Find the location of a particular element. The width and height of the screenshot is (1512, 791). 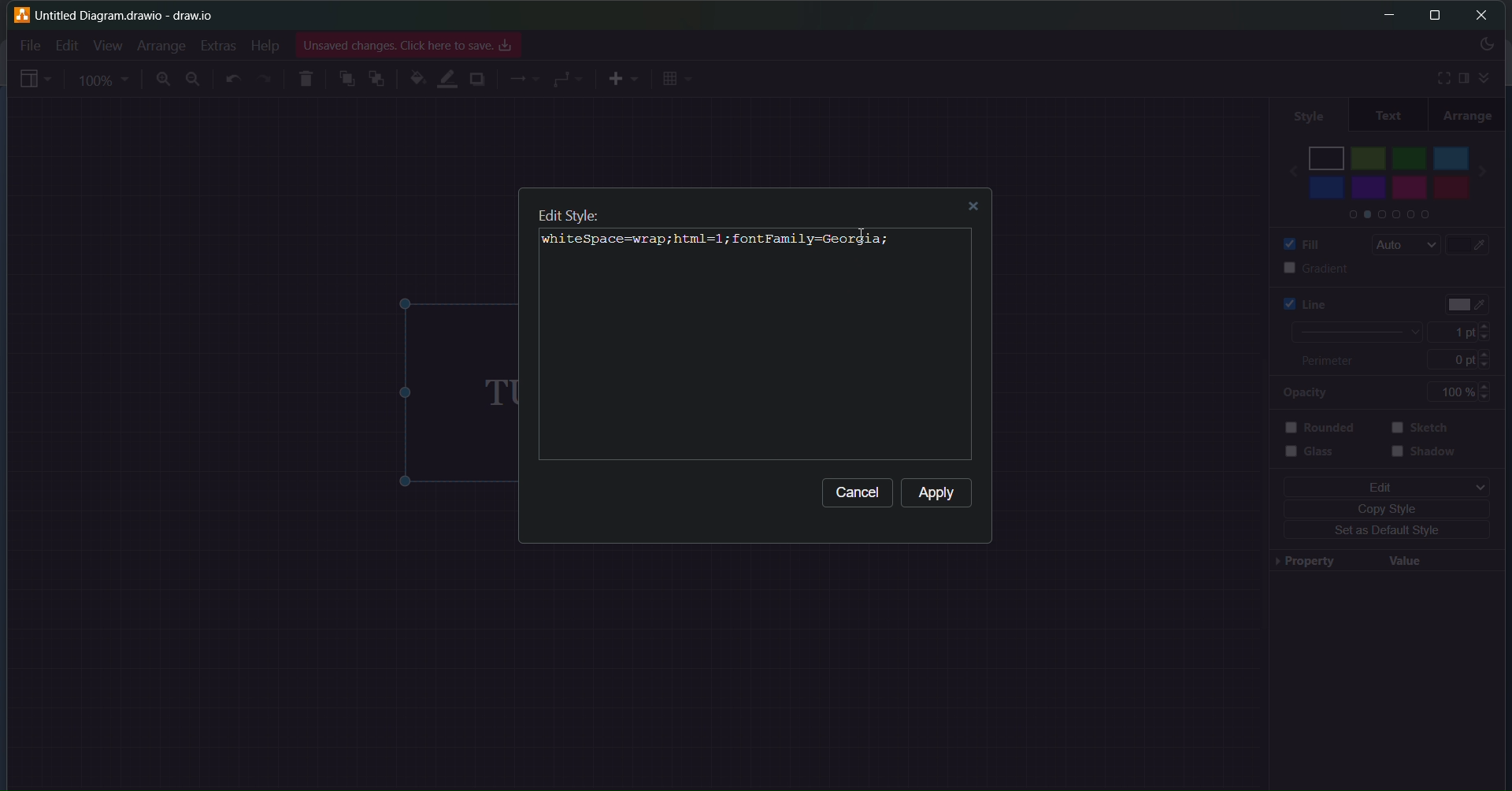

zoom in is located at coordinates (161, 80).